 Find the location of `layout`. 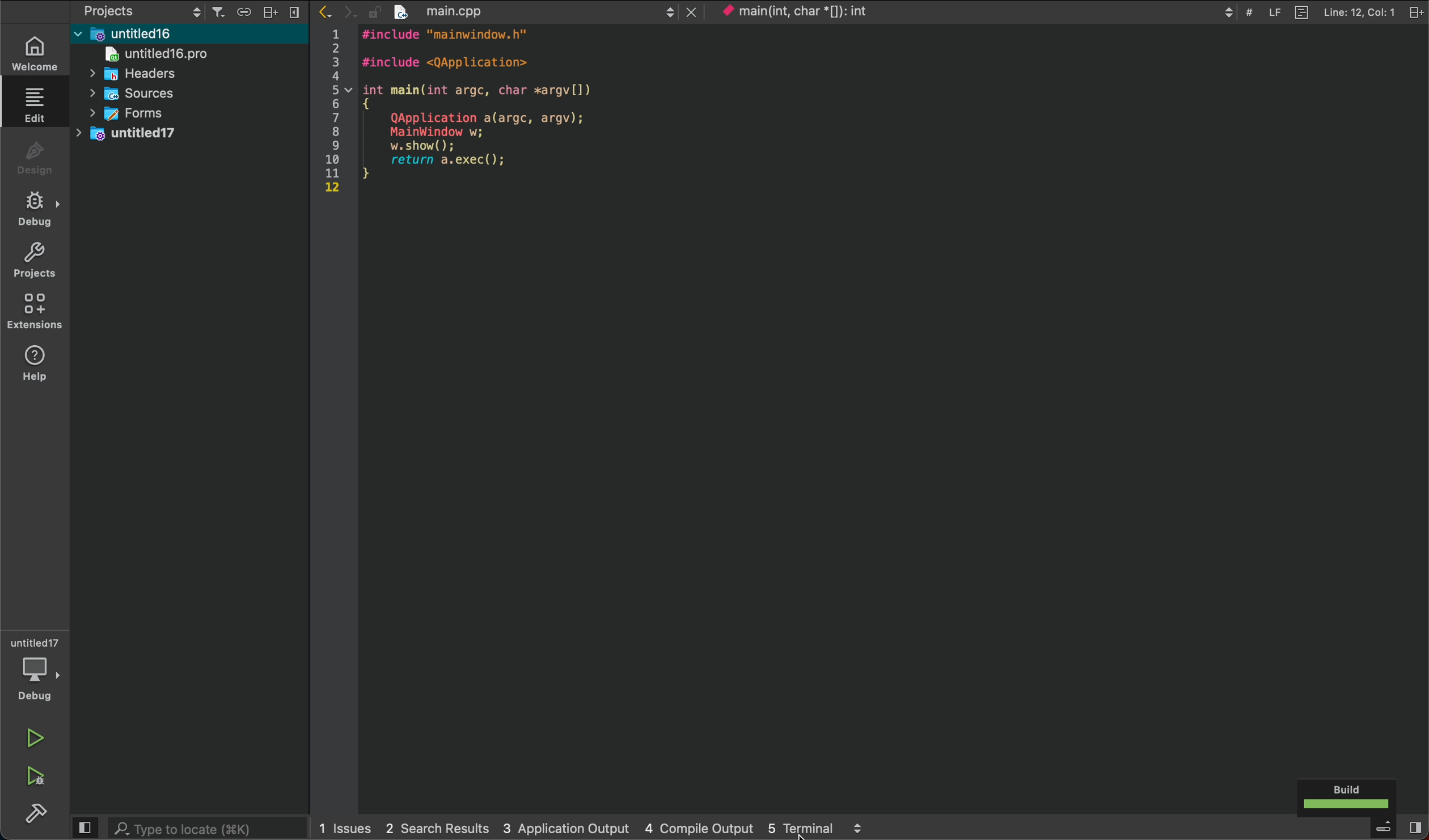

layout is located at coordinates (274, 10).